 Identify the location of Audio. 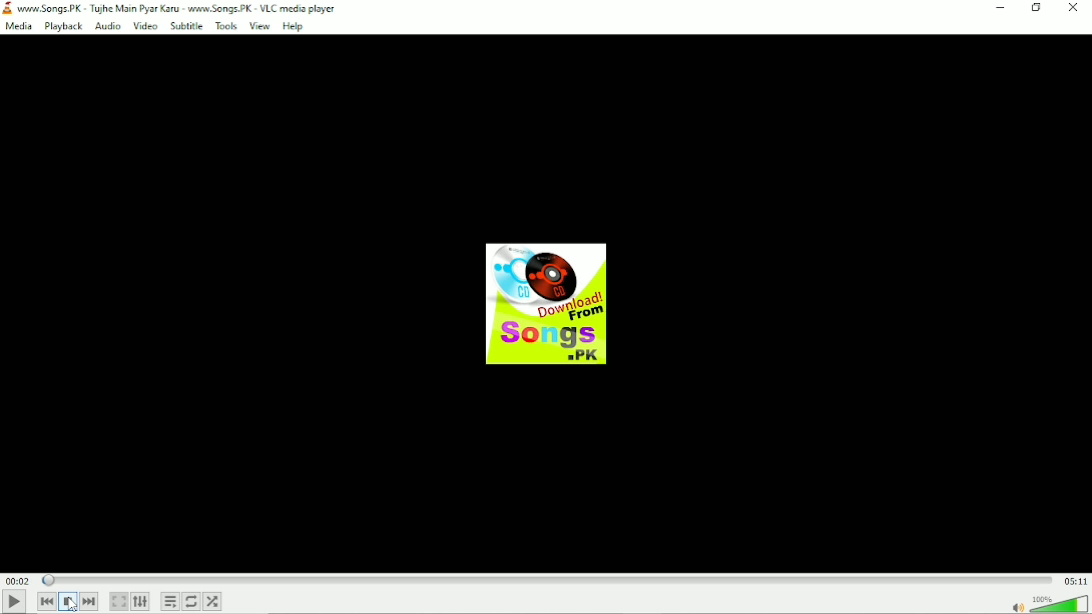
(1046, 603).